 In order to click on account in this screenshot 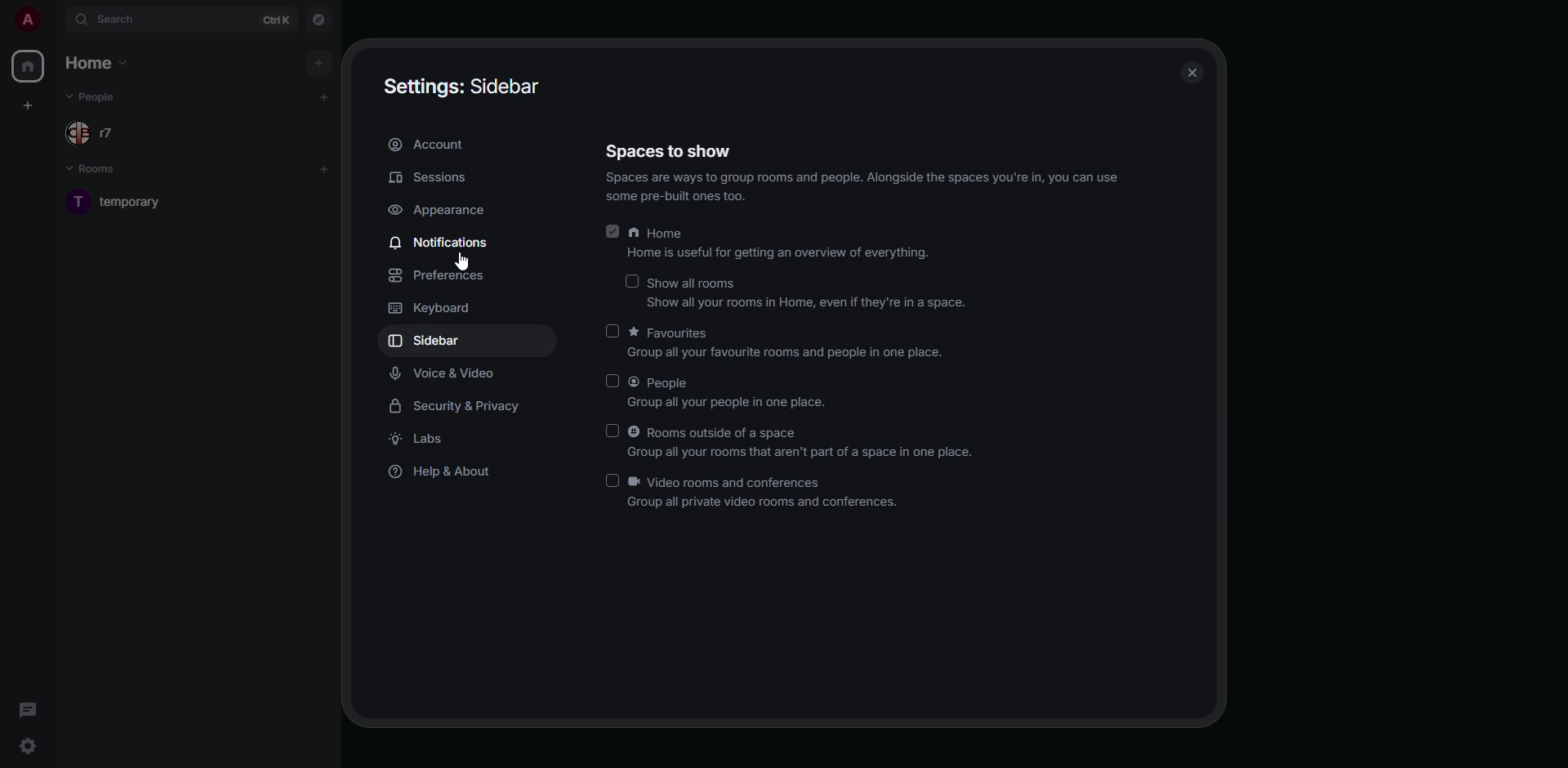, I will do `click(434, 145)`.